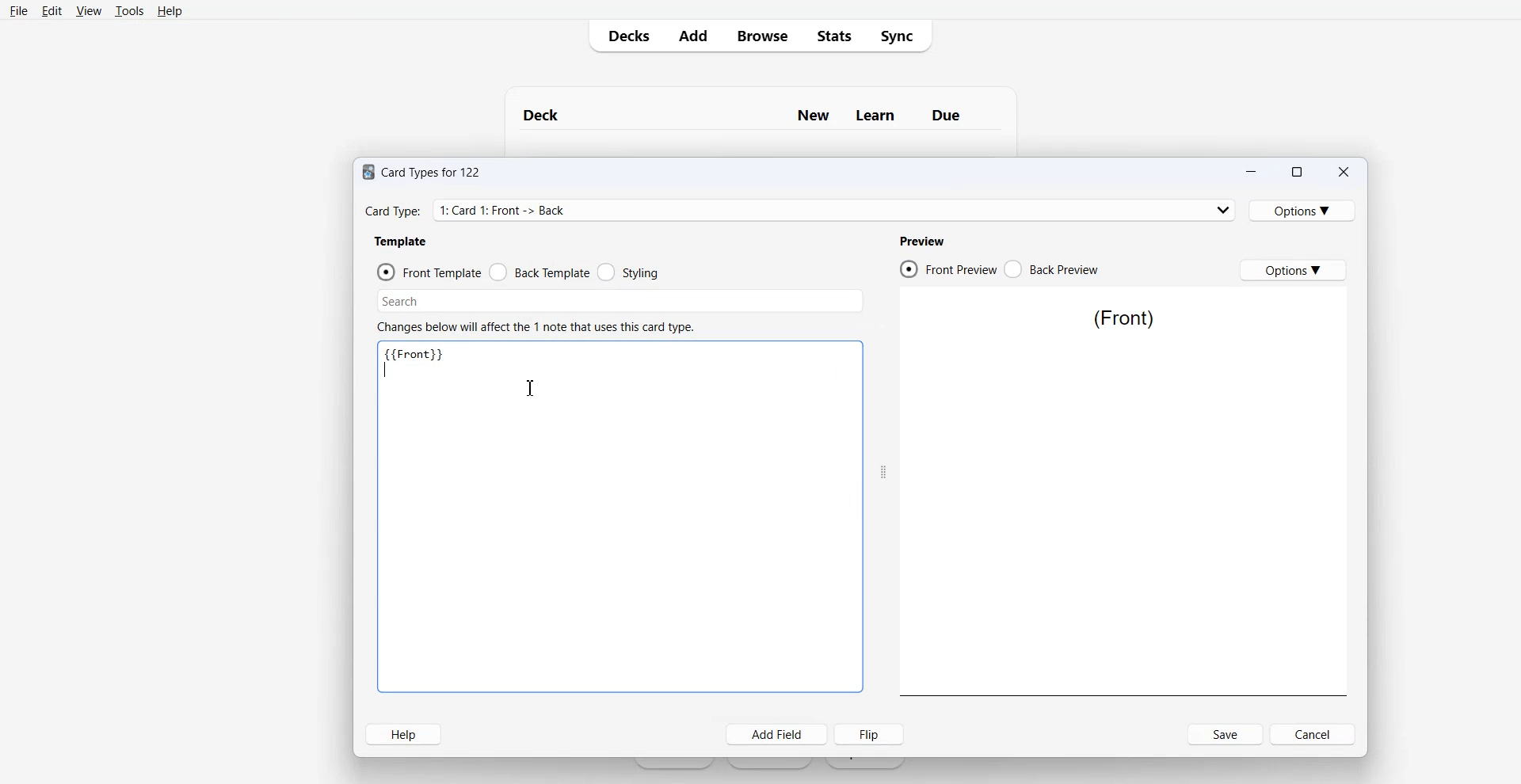 The width and height of the screenshot is (1521, 784). What do you see at coordinates (539, 272) in the screenshot?
I see `Back template` at bounding box center [539, 272].